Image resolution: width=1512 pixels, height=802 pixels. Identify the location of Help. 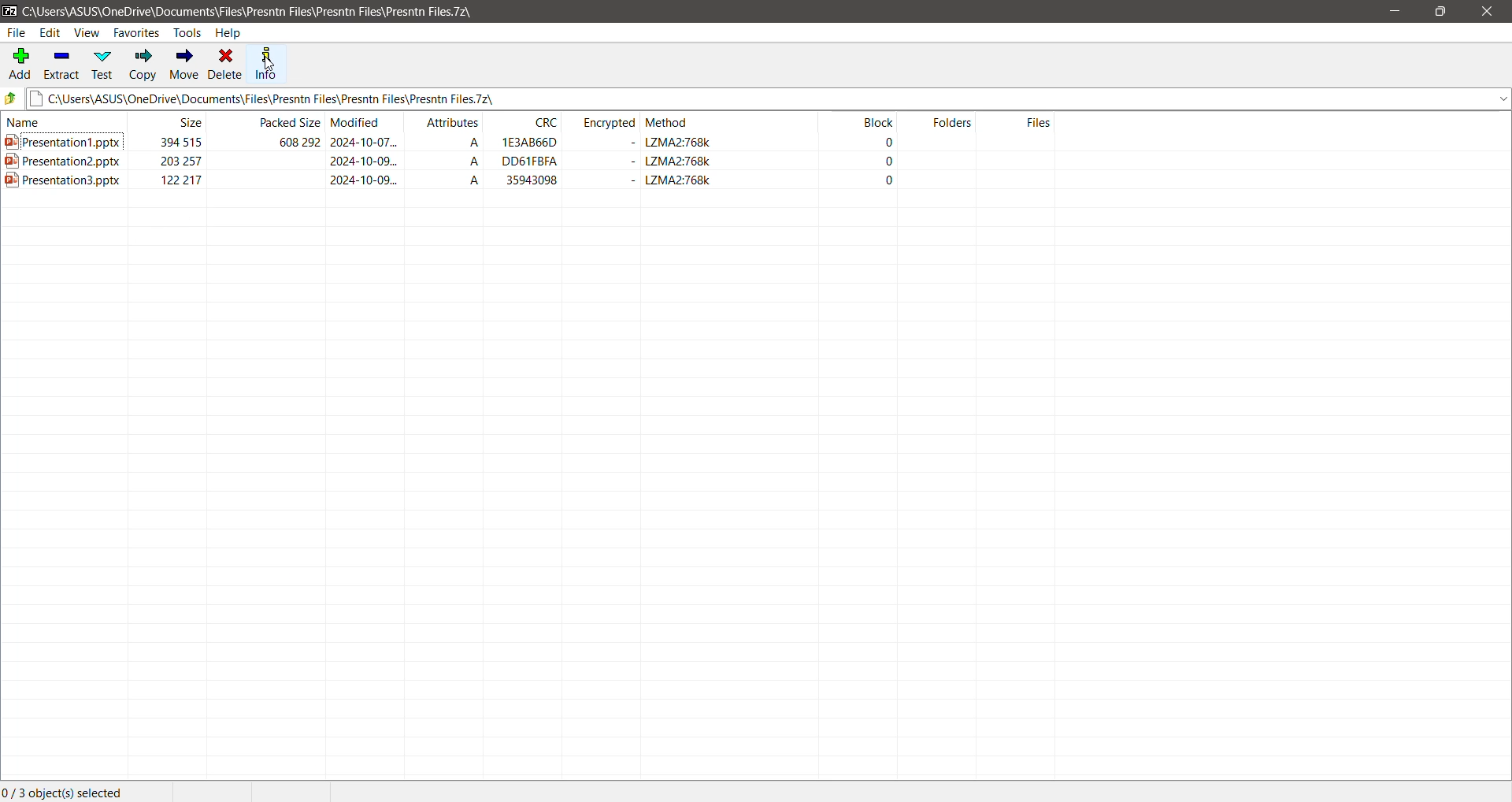
(230, 33).